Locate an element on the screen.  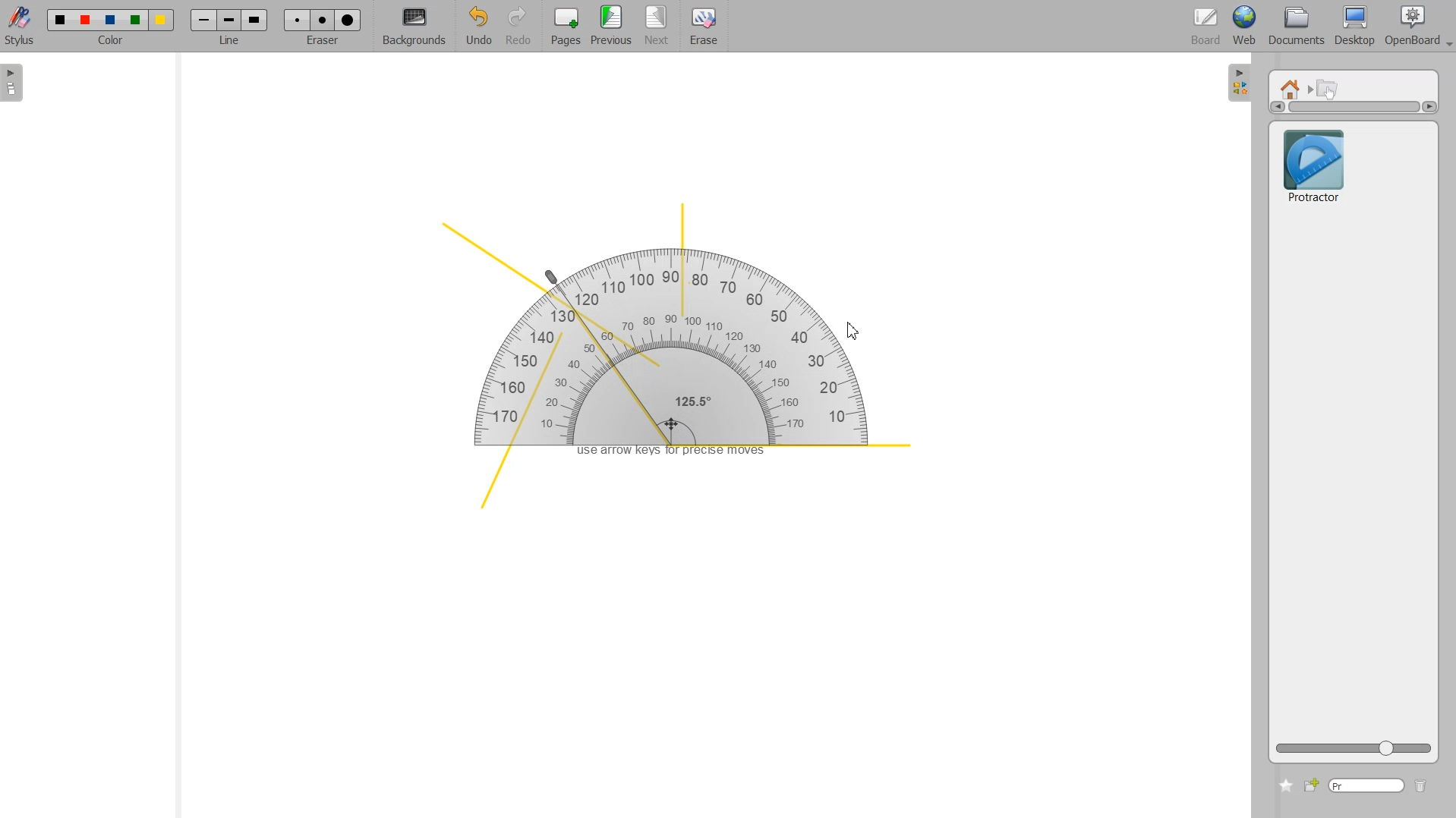
Next is located at coordinates (658, 27).